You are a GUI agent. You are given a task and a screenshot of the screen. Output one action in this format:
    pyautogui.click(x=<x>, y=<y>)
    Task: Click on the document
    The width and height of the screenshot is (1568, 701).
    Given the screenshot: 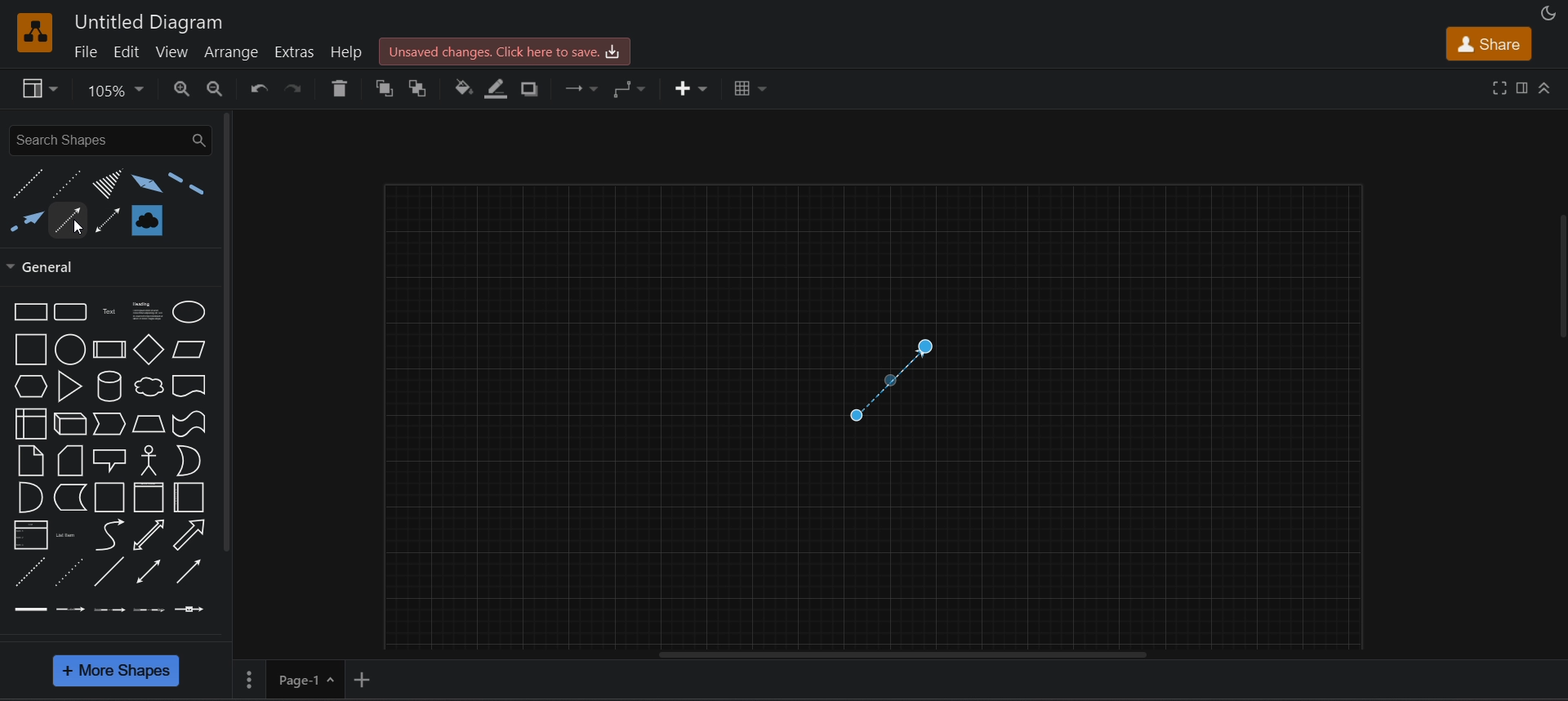 What is the action you would take?
    pyautogui.click(x=190, y=386)
    